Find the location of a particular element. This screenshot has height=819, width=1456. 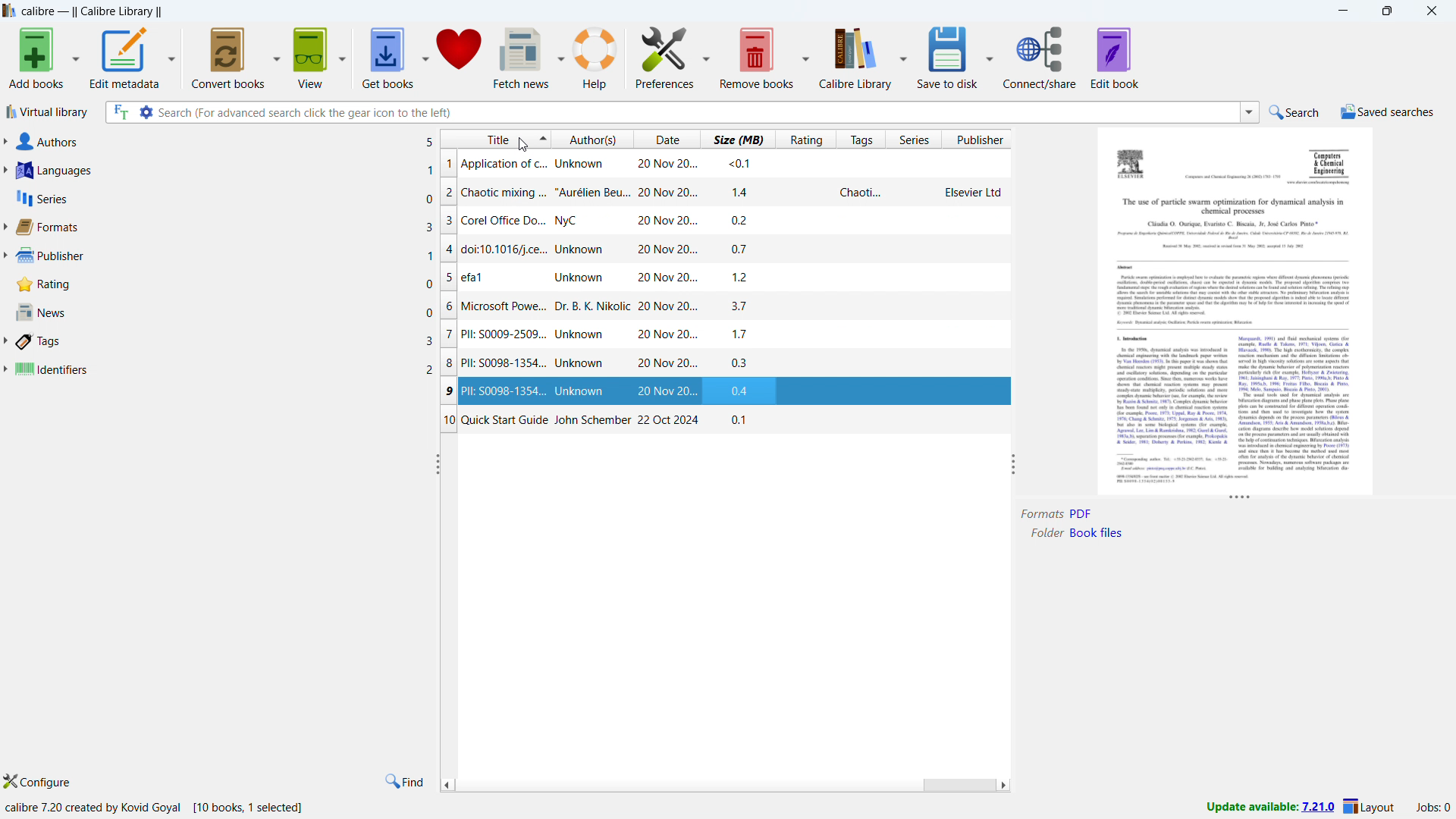

find in tags is located at coordinates (404, 781).